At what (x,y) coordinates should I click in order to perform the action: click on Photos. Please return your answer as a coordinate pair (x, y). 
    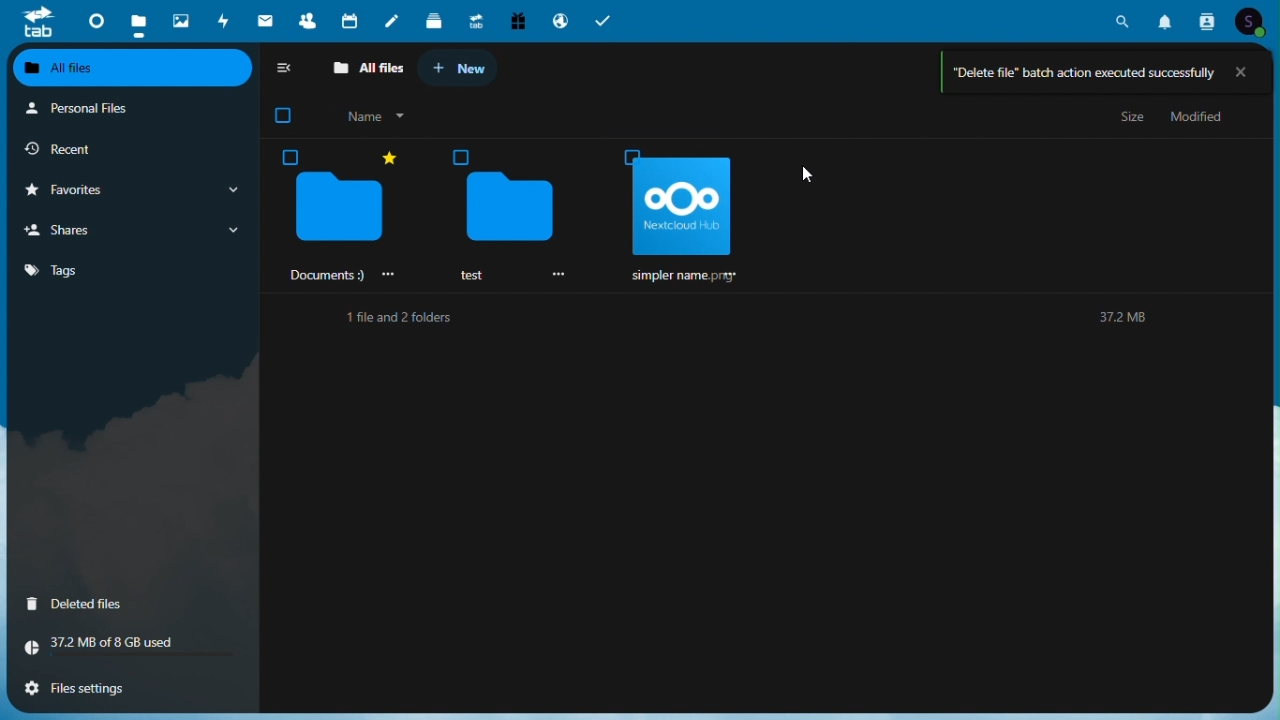
    Looking at the image, I should click on (183, 20).